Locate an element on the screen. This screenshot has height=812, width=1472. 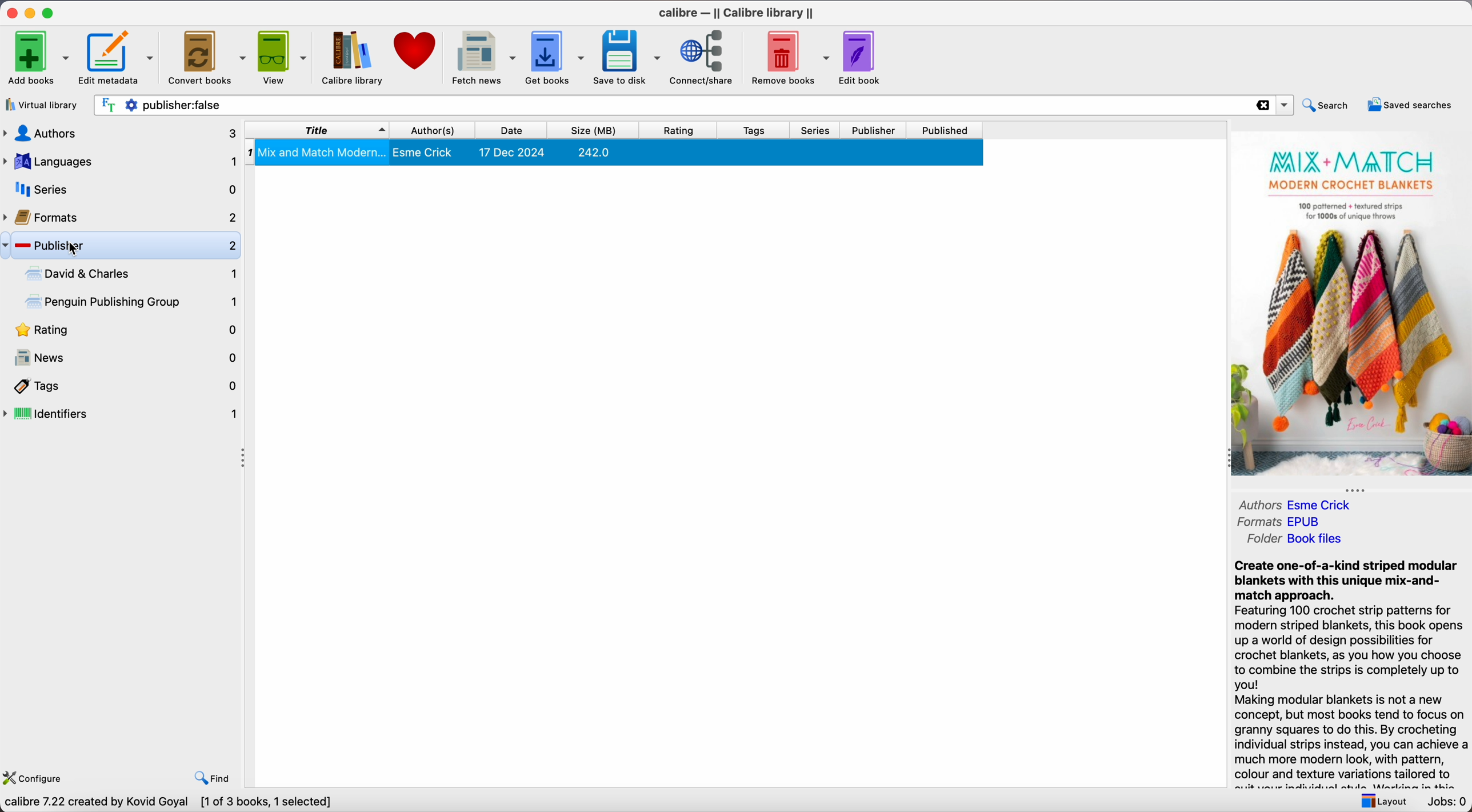
folder Book files is located at coordinates (1296, 539).